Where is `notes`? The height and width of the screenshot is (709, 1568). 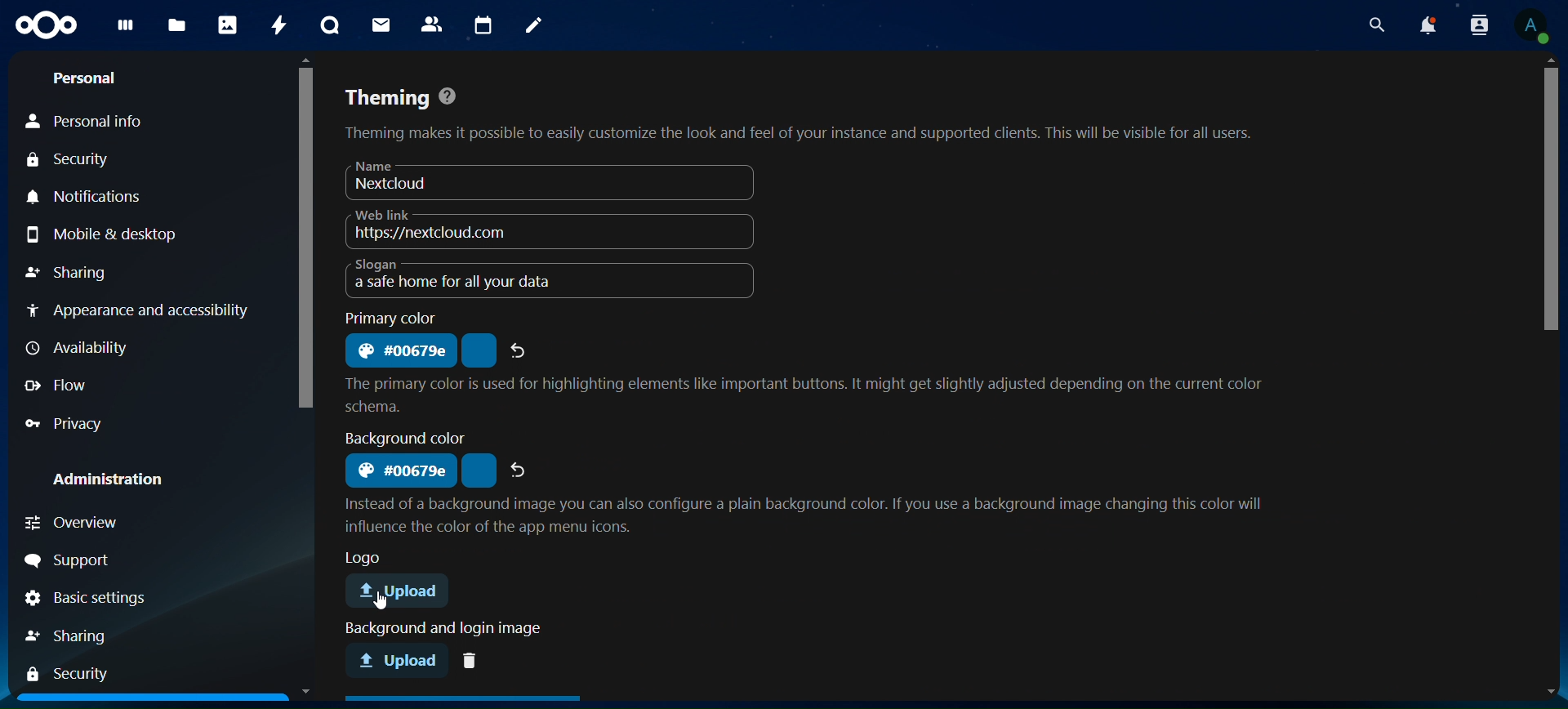
notes is located at coordinates (537, 26).